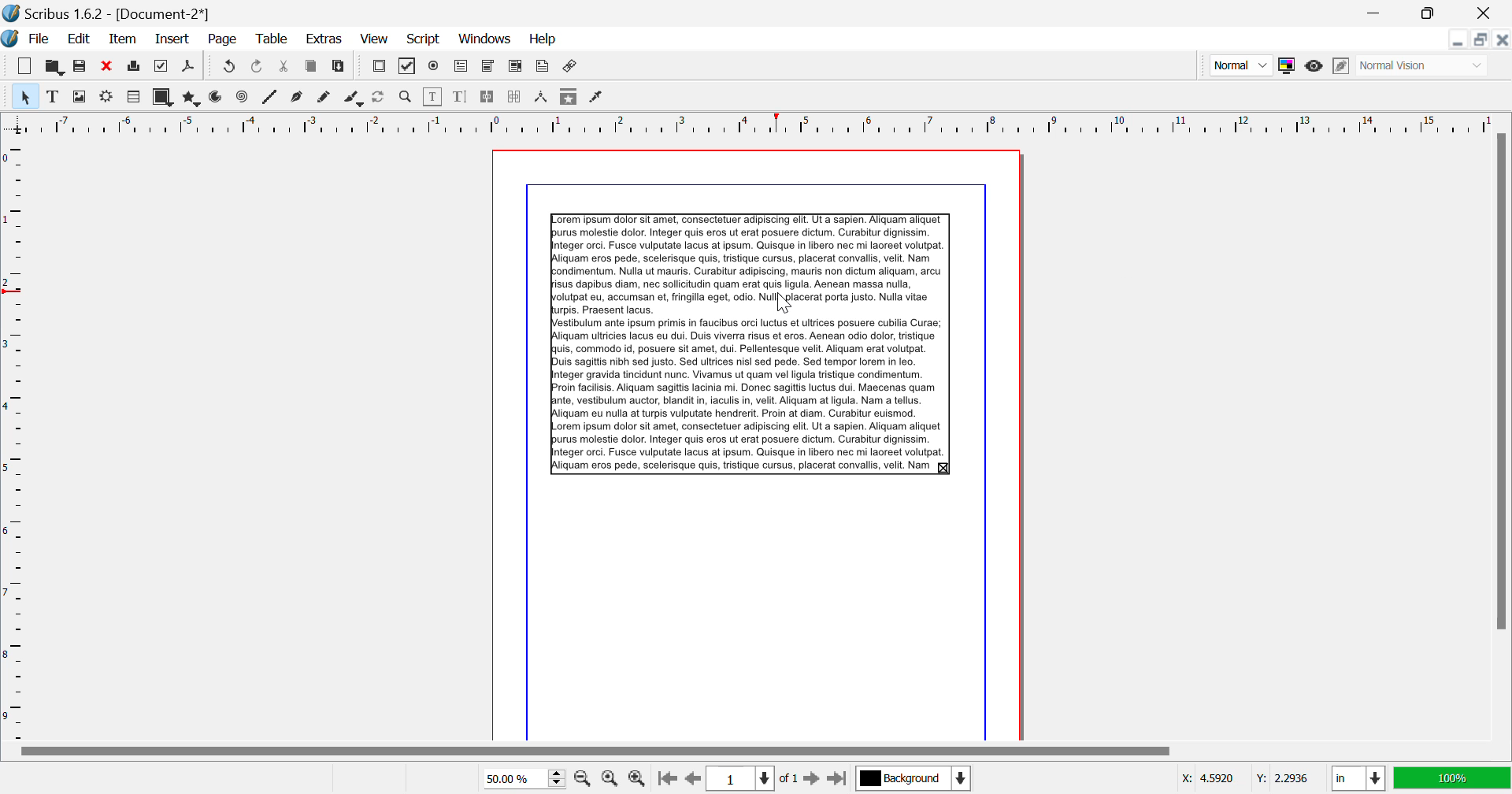 The image size is (1512, 794). What do you see at coordinates (76, 39) in the screenshot?
I see `Edit` at bounding box center [76, 39].